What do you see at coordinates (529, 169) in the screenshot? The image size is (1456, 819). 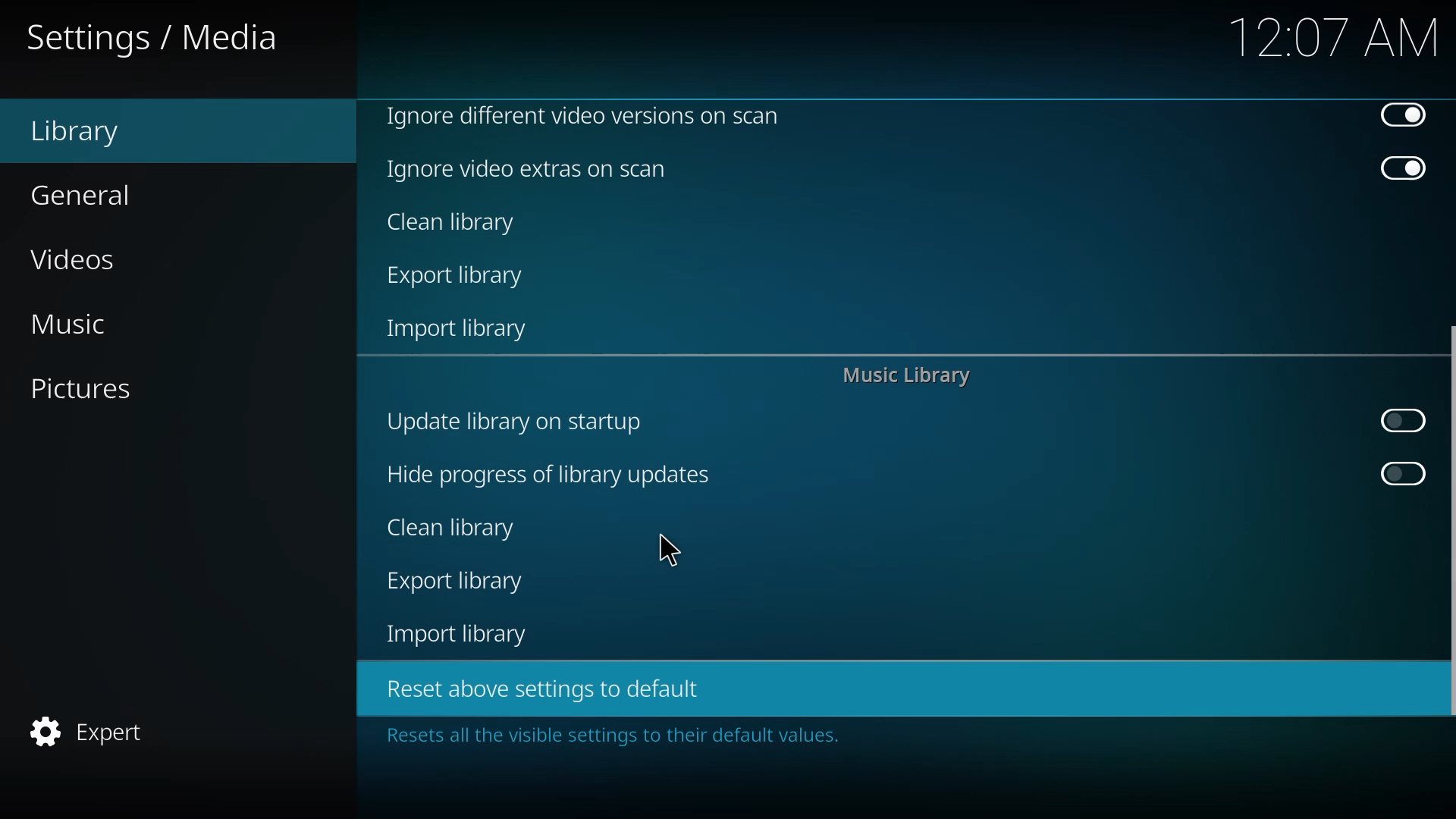 I see `ignore` at bounding box center [529, 169].